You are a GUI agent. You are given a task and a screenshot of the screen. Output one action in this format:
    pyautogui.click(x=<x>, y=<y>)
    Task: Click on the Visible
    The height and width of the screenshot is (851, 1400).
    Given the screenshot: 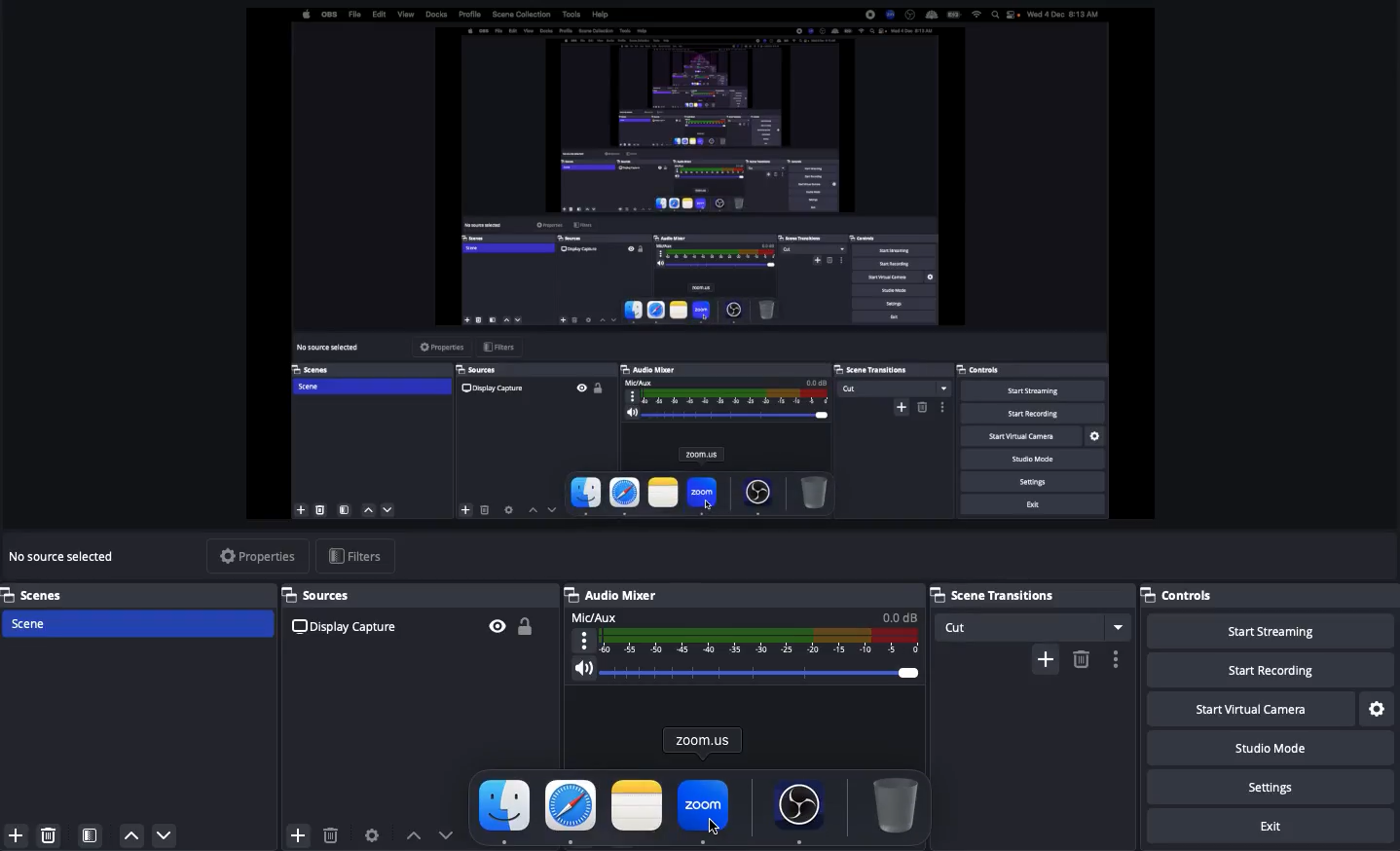 What is the action you would take?
    pyautogui.click(x=497, y=624)
    